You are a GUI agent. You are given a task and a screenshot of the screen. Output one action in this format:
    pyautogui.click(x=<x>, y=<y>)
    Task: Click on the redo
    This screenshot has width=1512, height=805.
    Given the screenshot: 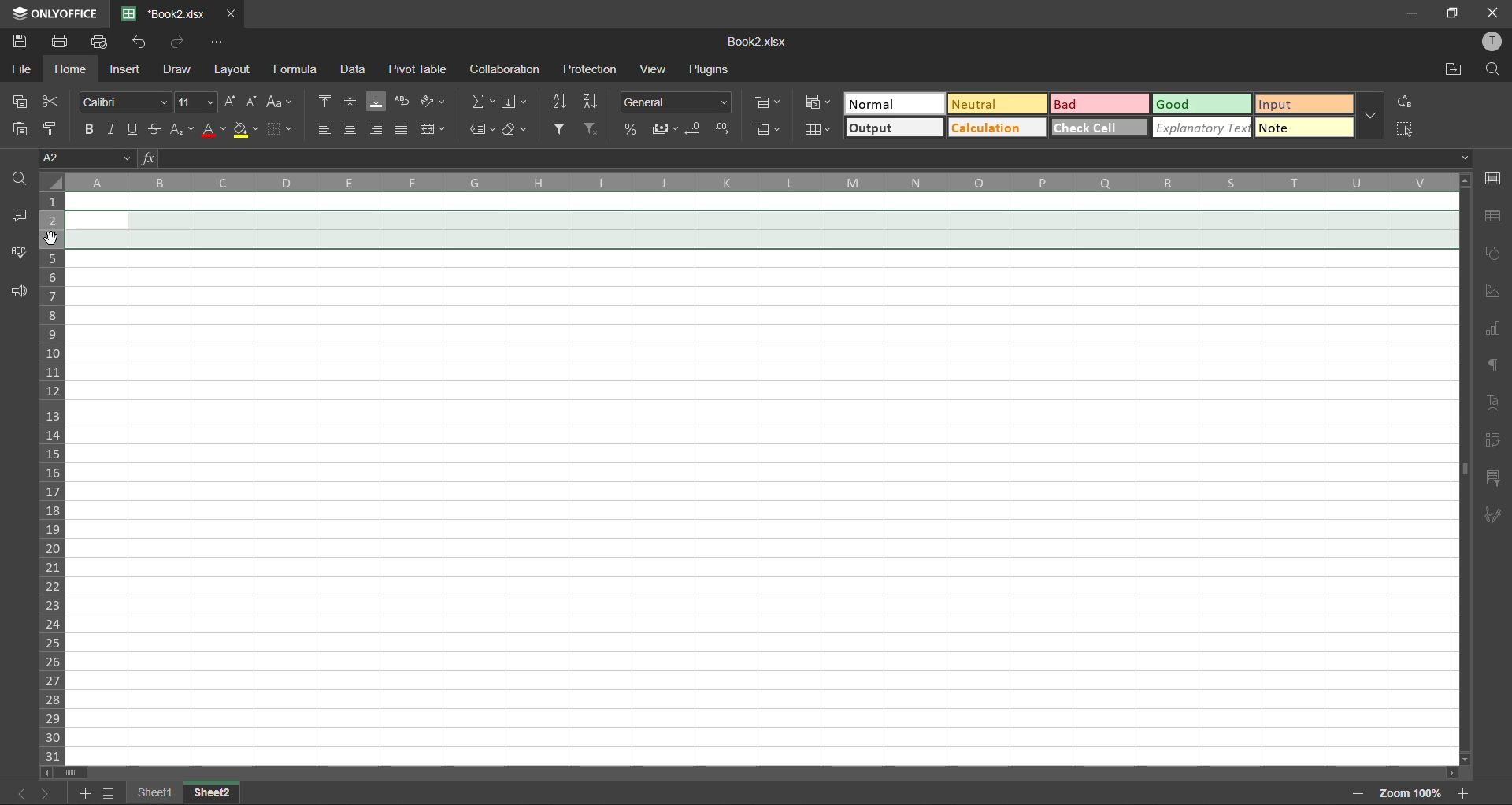 What is the action you would take?
    pyautogui.click(x=177, y=42)
    